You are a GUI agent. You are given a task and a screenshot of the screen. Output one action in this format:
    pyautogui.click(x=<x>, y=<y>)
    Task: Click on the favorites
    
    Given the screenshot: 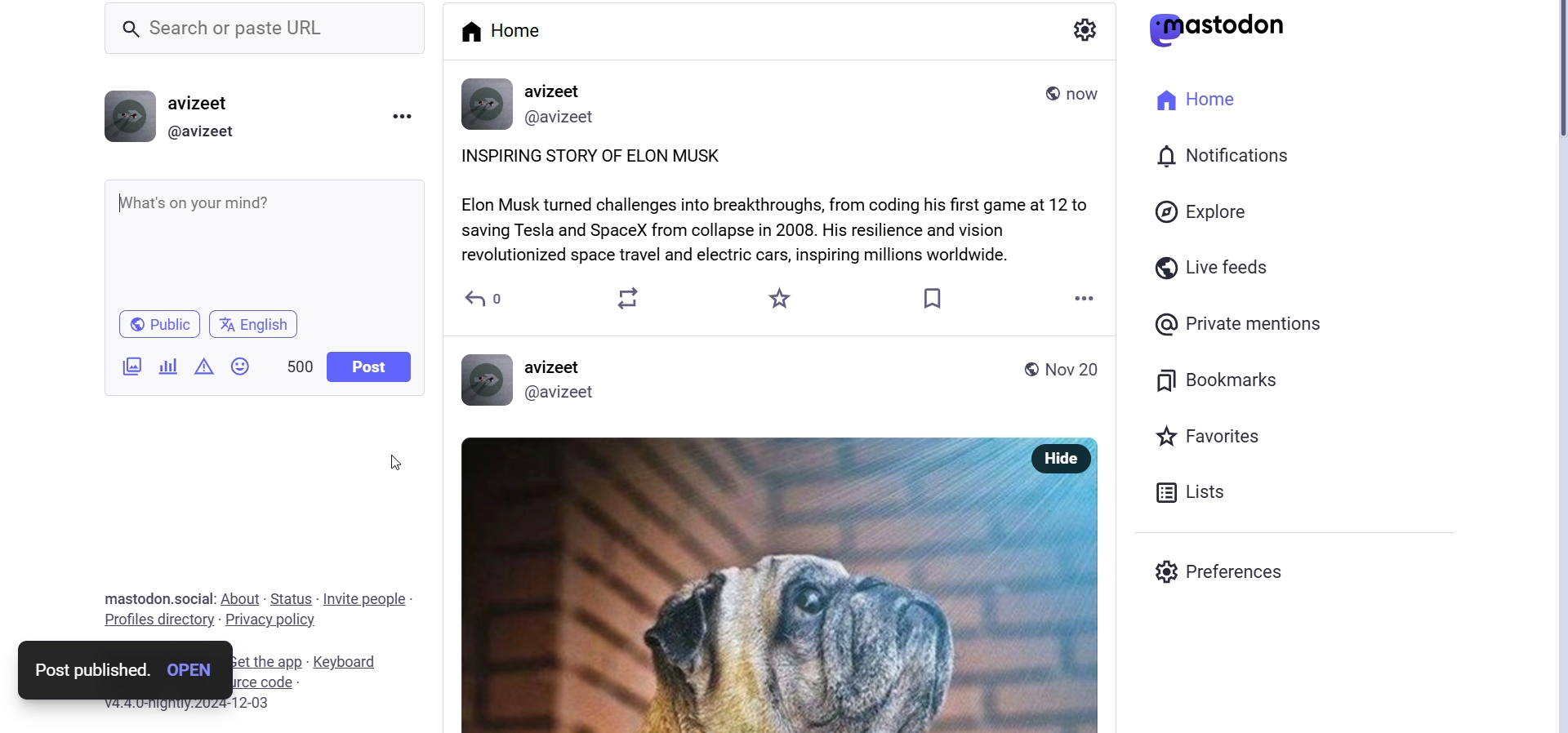 What is the action you would take?
    pyautogui.click(x=783, y=298)
    